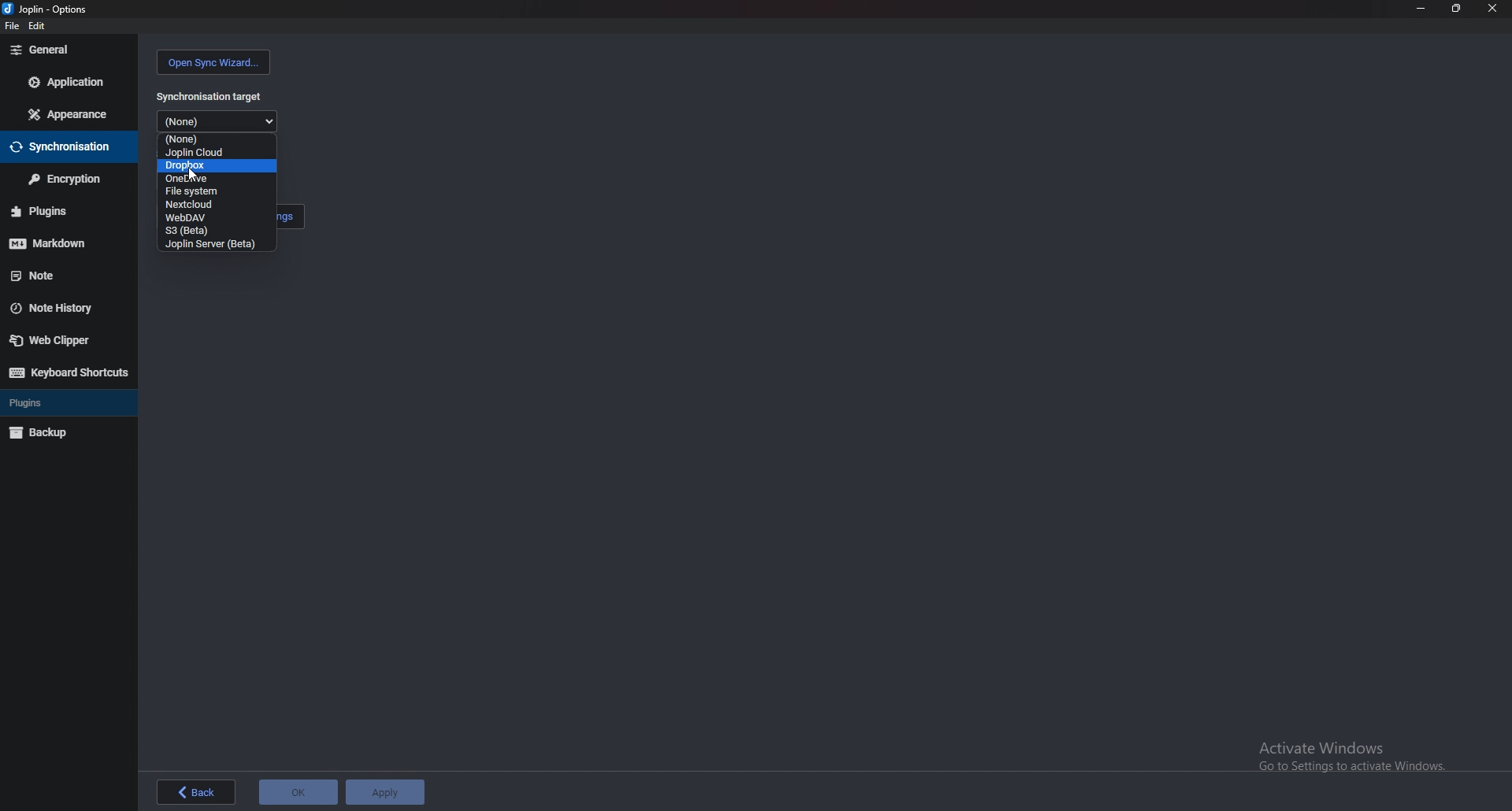  Describe the element at coordinates (10, 28) in the screenshot. I see `file` at that location.